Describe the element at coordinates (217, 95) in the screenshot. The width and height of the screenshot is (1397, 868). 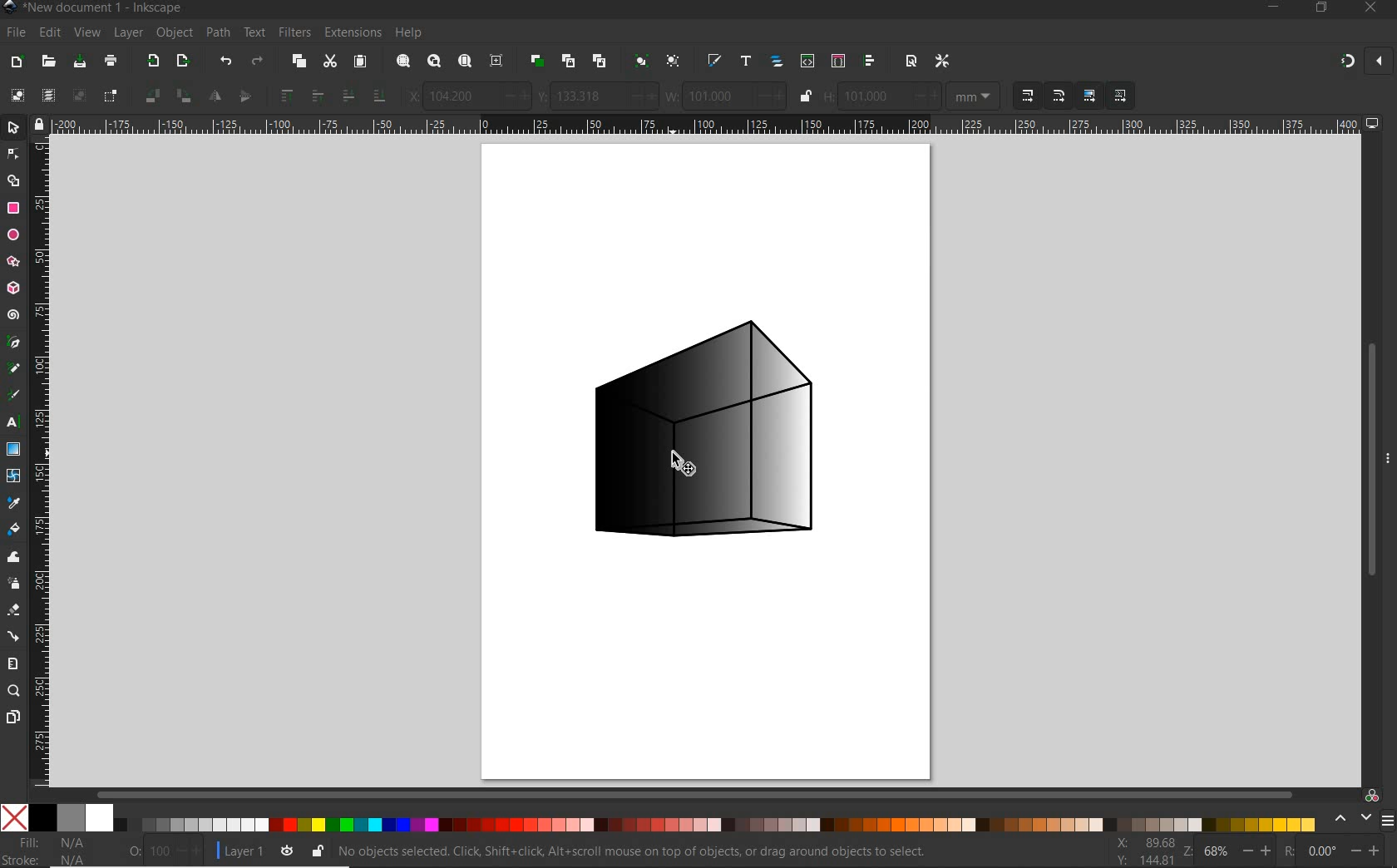
I see `OBJECT FLIP` at that location.